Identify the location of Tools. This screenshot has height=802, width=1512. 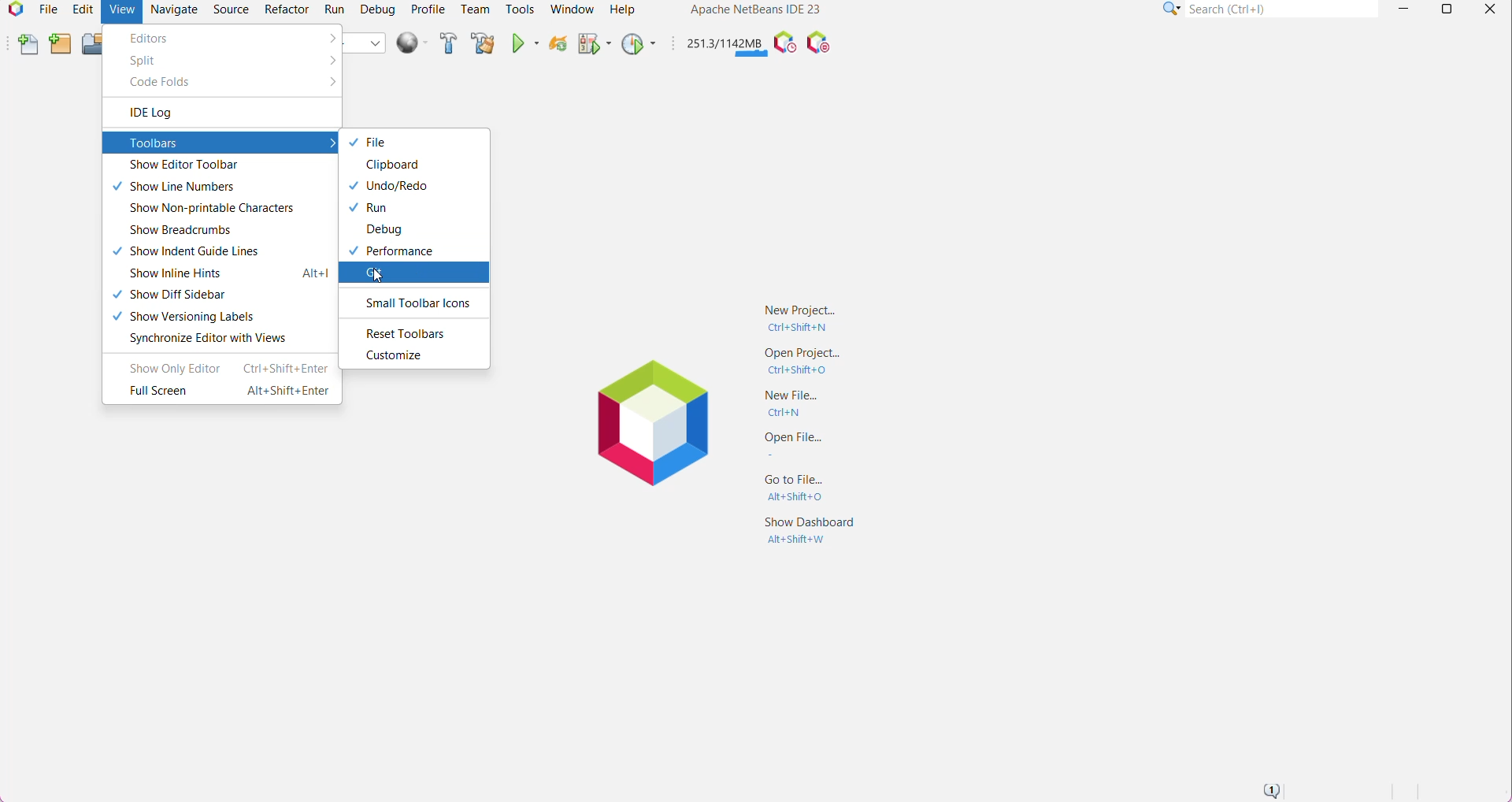
(519, 9).